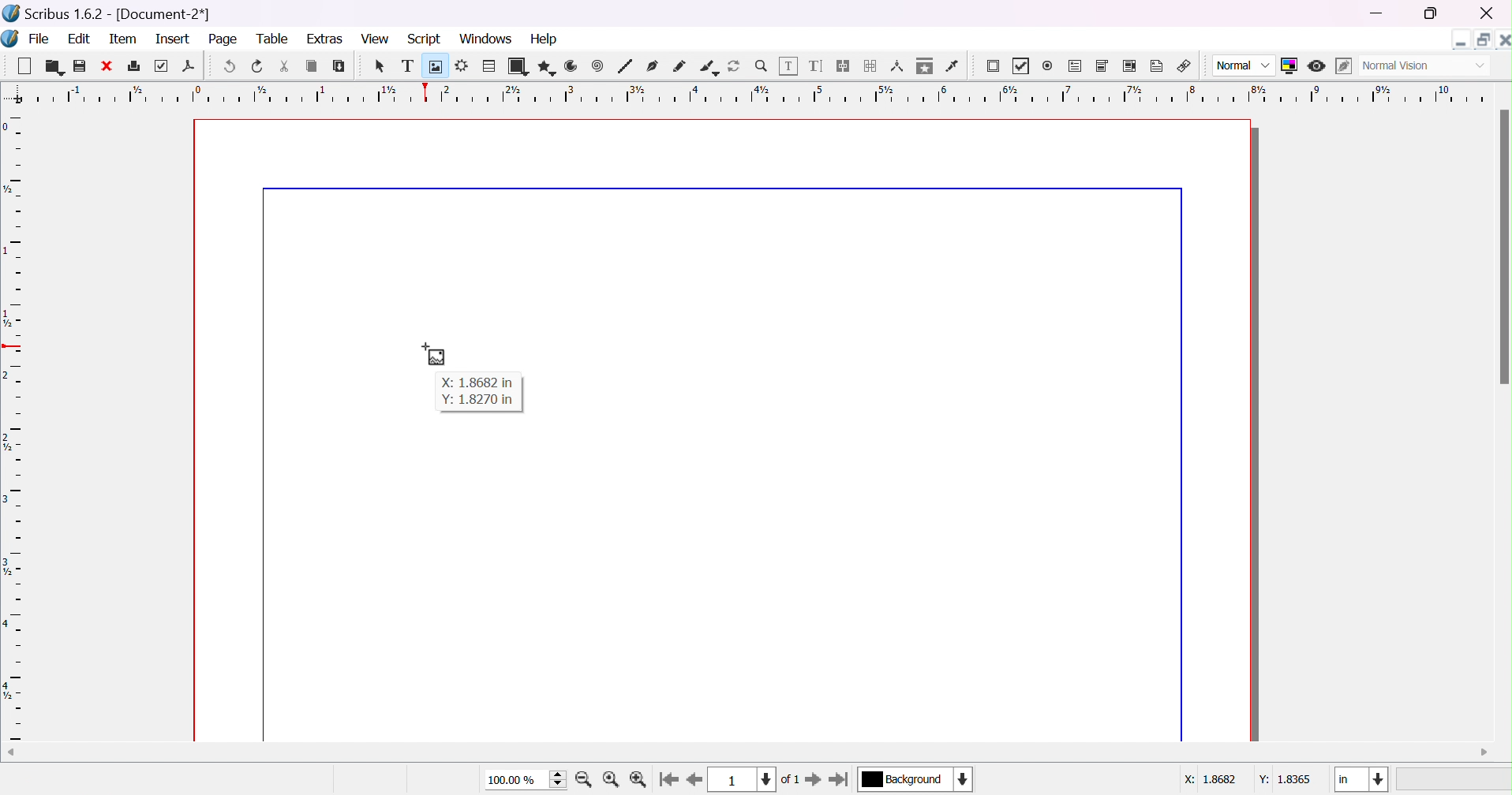 The height and width of the screenshot is (795, 1512). I want to click on 100.00%, so click(527, 780).